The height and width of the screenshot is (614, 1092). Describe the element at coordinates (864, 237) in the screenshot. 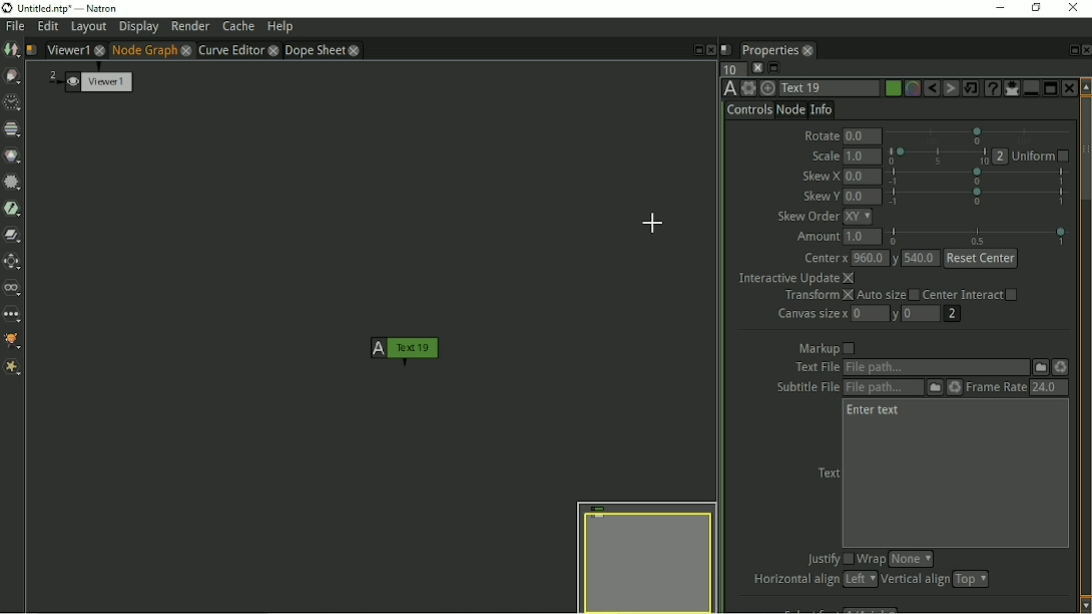

I see `1.0` at that location.